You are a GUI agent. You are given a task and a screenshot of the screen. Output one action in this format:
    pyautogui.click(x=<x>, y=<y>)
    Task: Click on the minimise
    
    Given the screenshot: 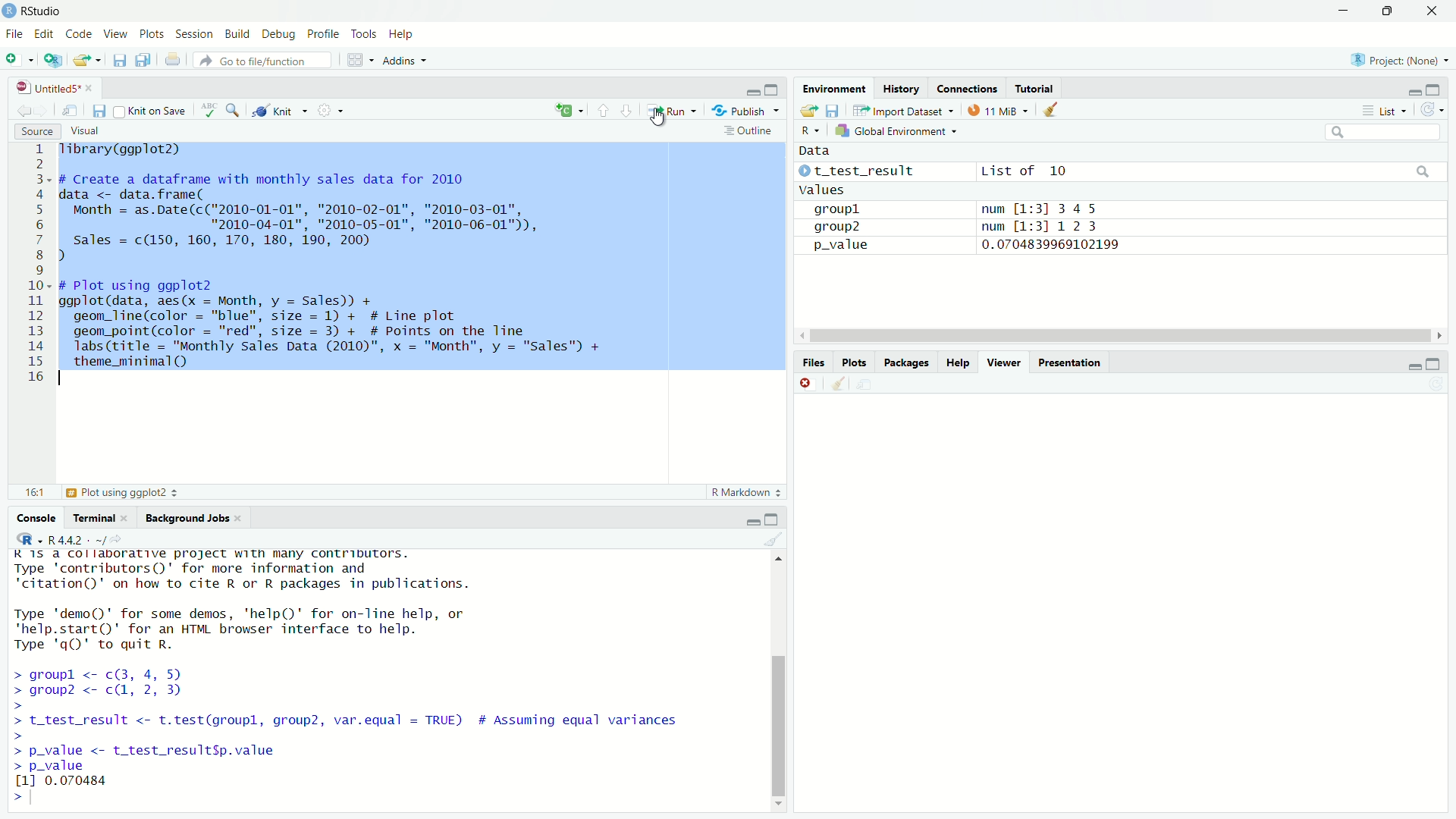 What is the action you would take?
    pyautogui.click(x=752, y=522)
    